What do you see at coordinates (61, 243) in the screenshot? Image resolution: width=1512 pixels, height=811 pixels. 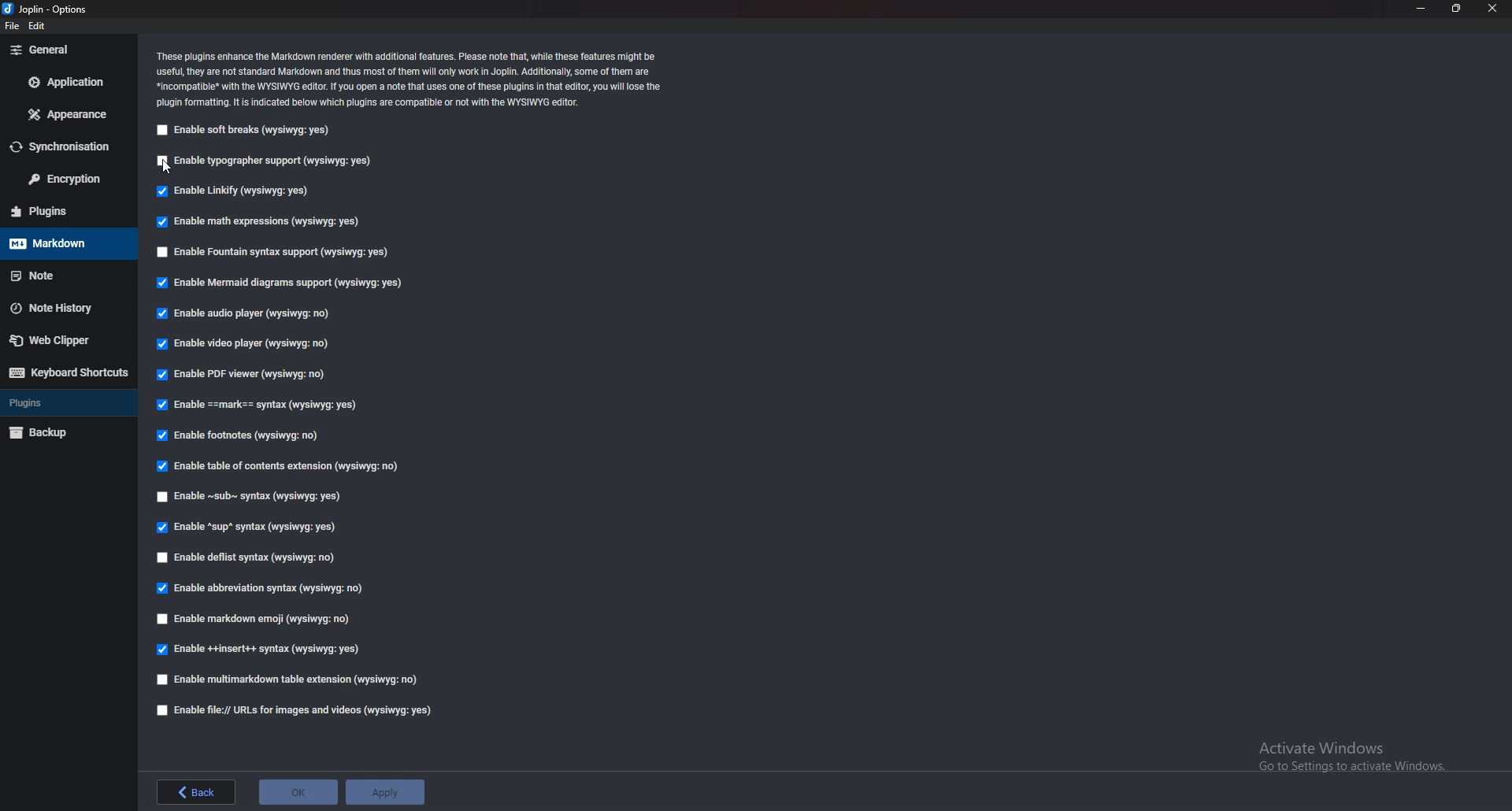 I see `markdown` at bounding box center [61, 243].